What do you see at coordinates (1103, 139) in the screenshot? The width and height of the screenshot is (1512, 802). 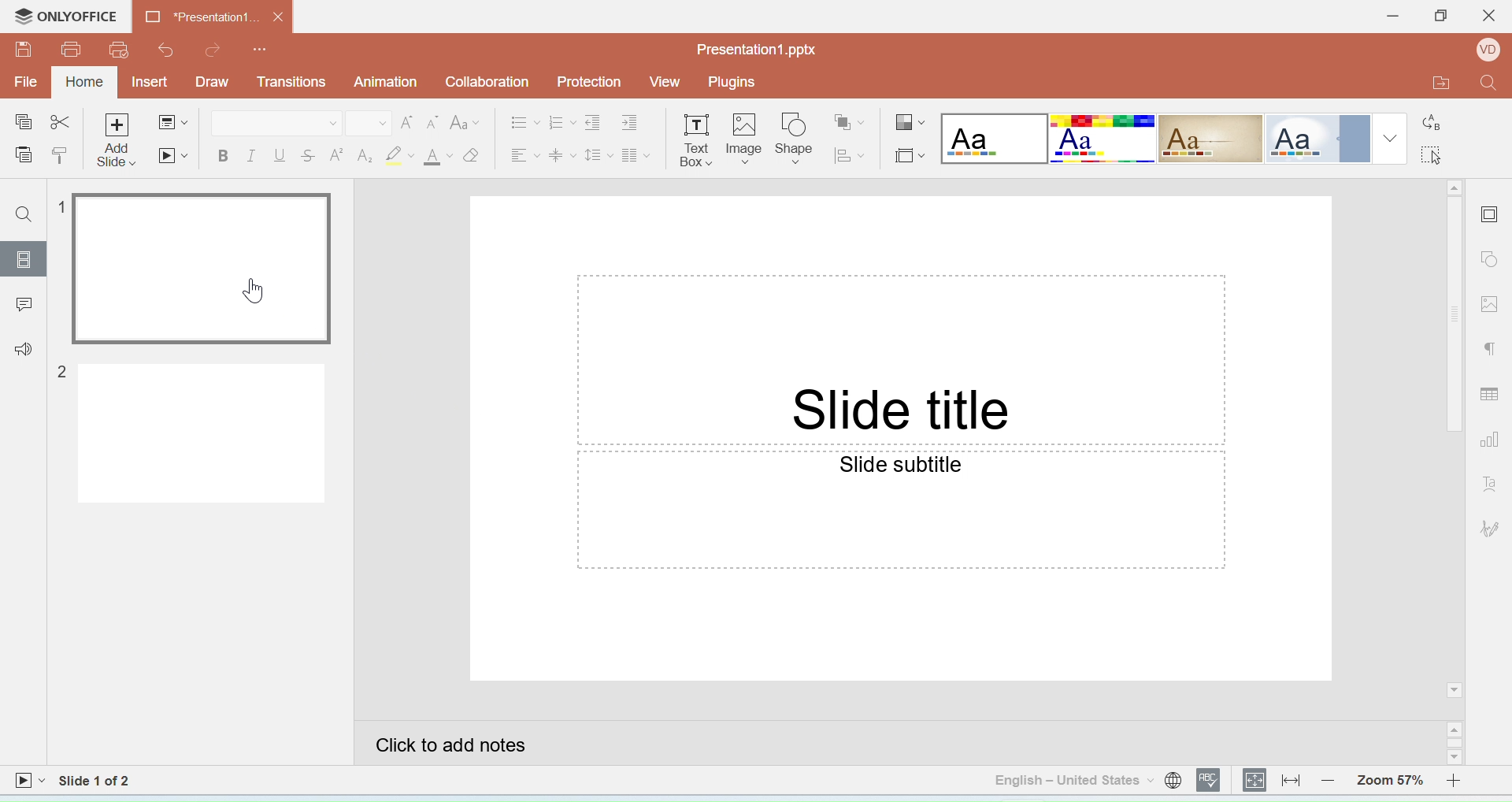 I see `Basic` at bounding box center [1103, 139].